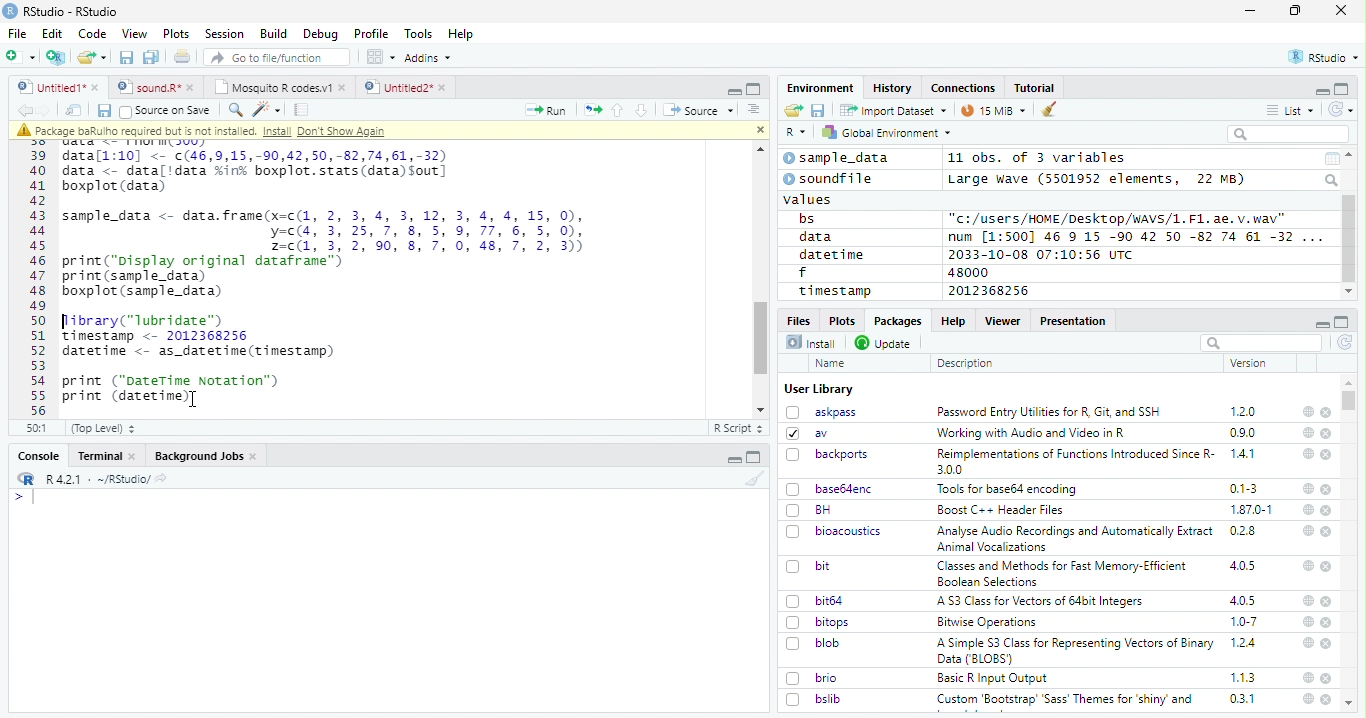 This screenshot has width=1366, height=718. I want to click on Calendar, so click(1331, 159).